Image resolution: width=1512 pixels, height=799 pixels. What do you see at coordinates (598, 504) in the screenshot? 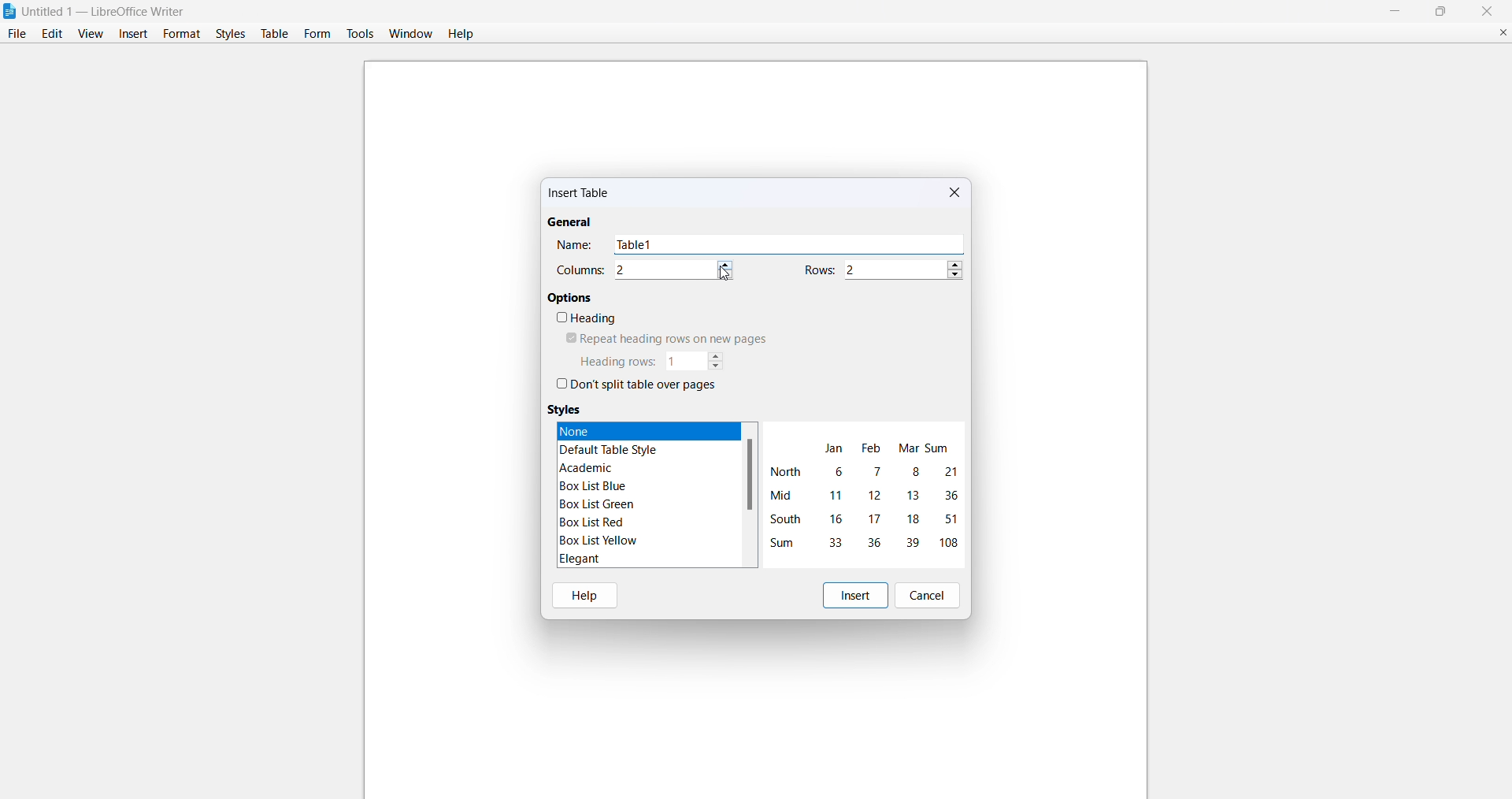
I see `box list green` at bounding box center [598, 504].